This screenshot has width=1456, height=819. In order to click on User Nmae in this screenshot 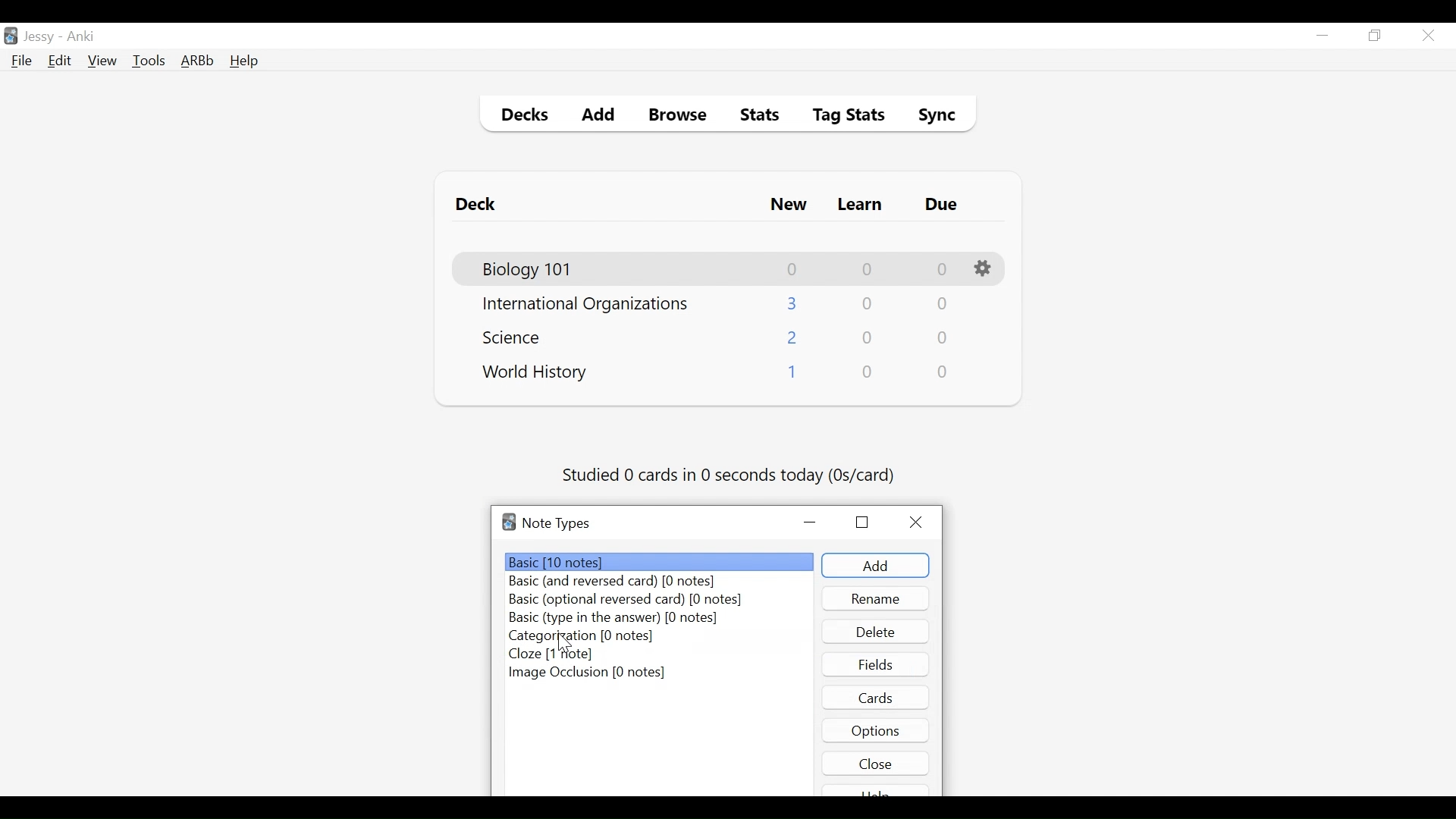, I will do `click(42, 37)`.